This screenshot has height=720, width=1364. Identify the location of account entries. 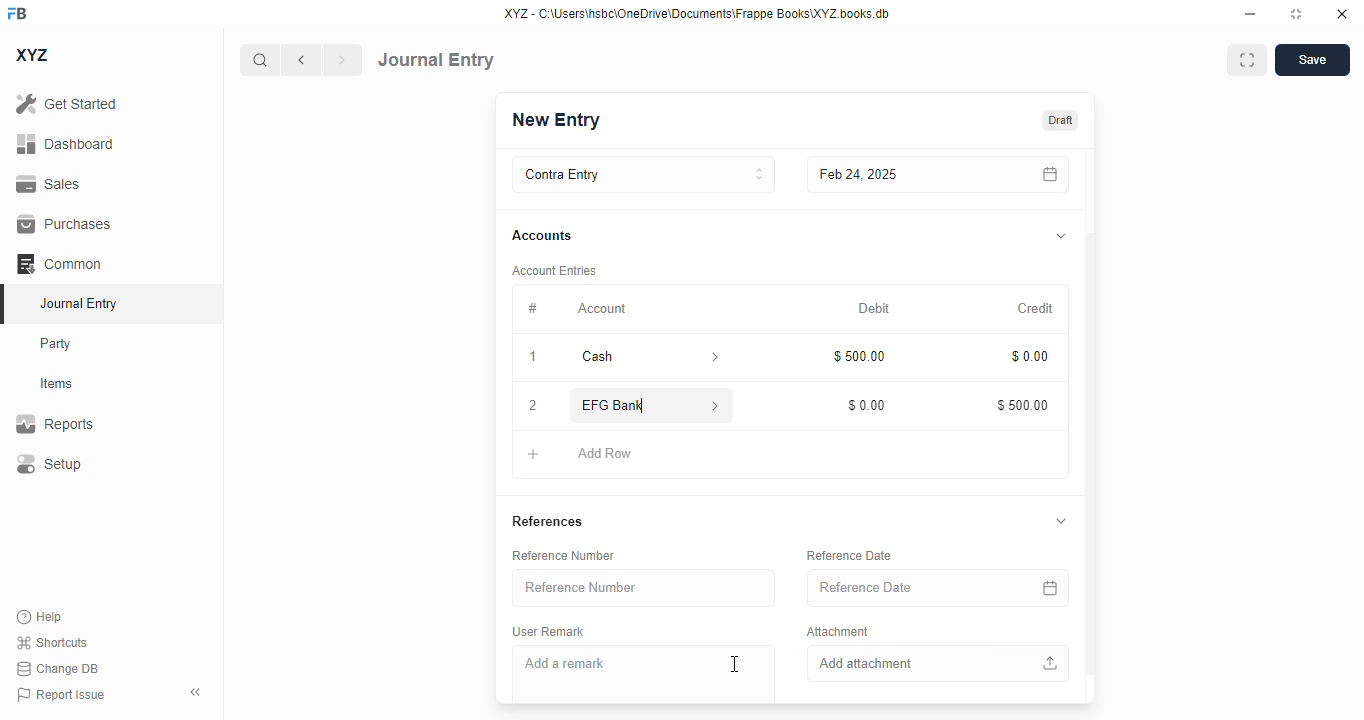
(553, 271).